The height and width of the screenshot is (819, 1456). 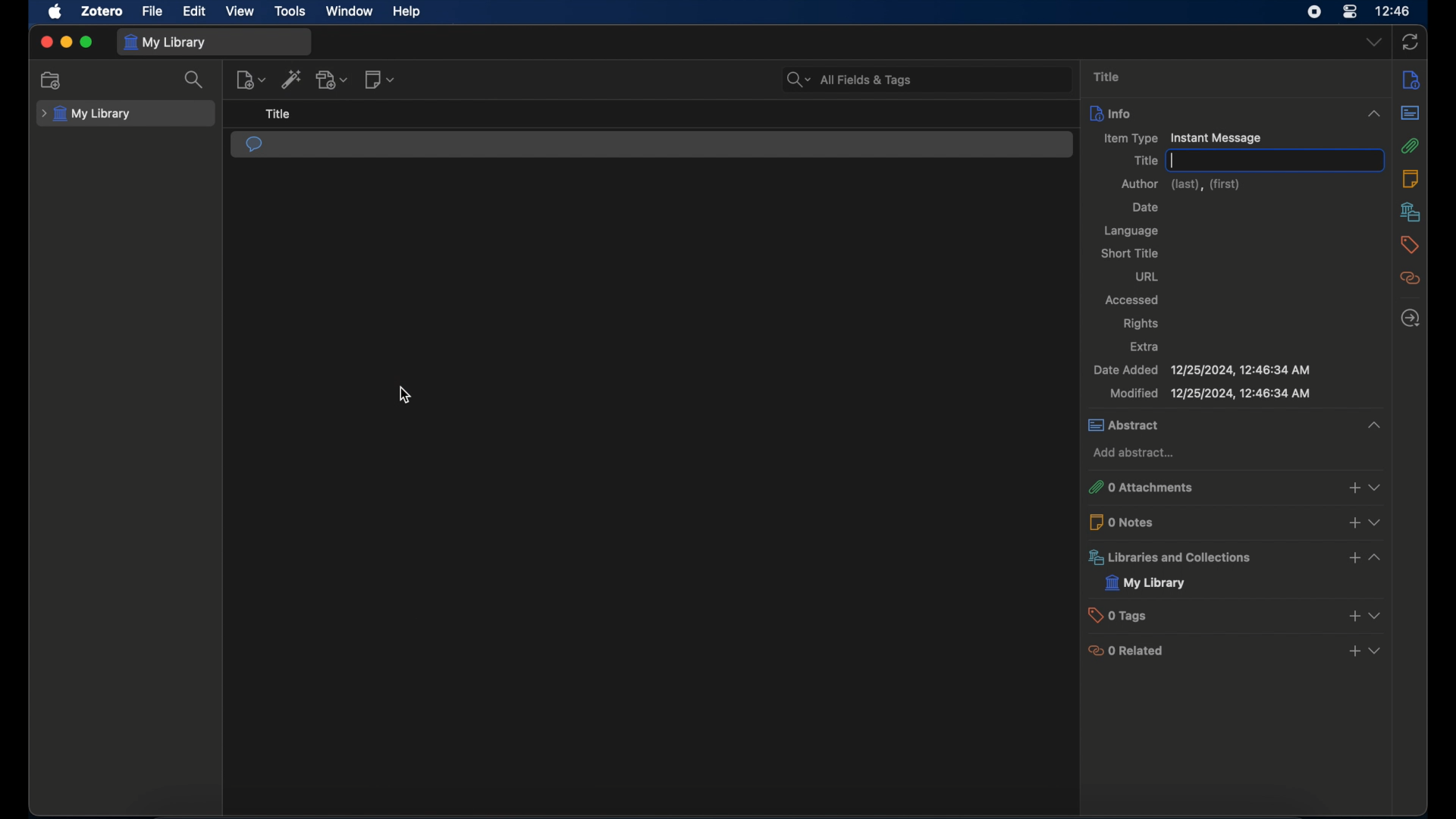 What do you see at coordinates (1233, 487) in the screenshot?
I see `0 attachments` at bounding box center [1233, 487].